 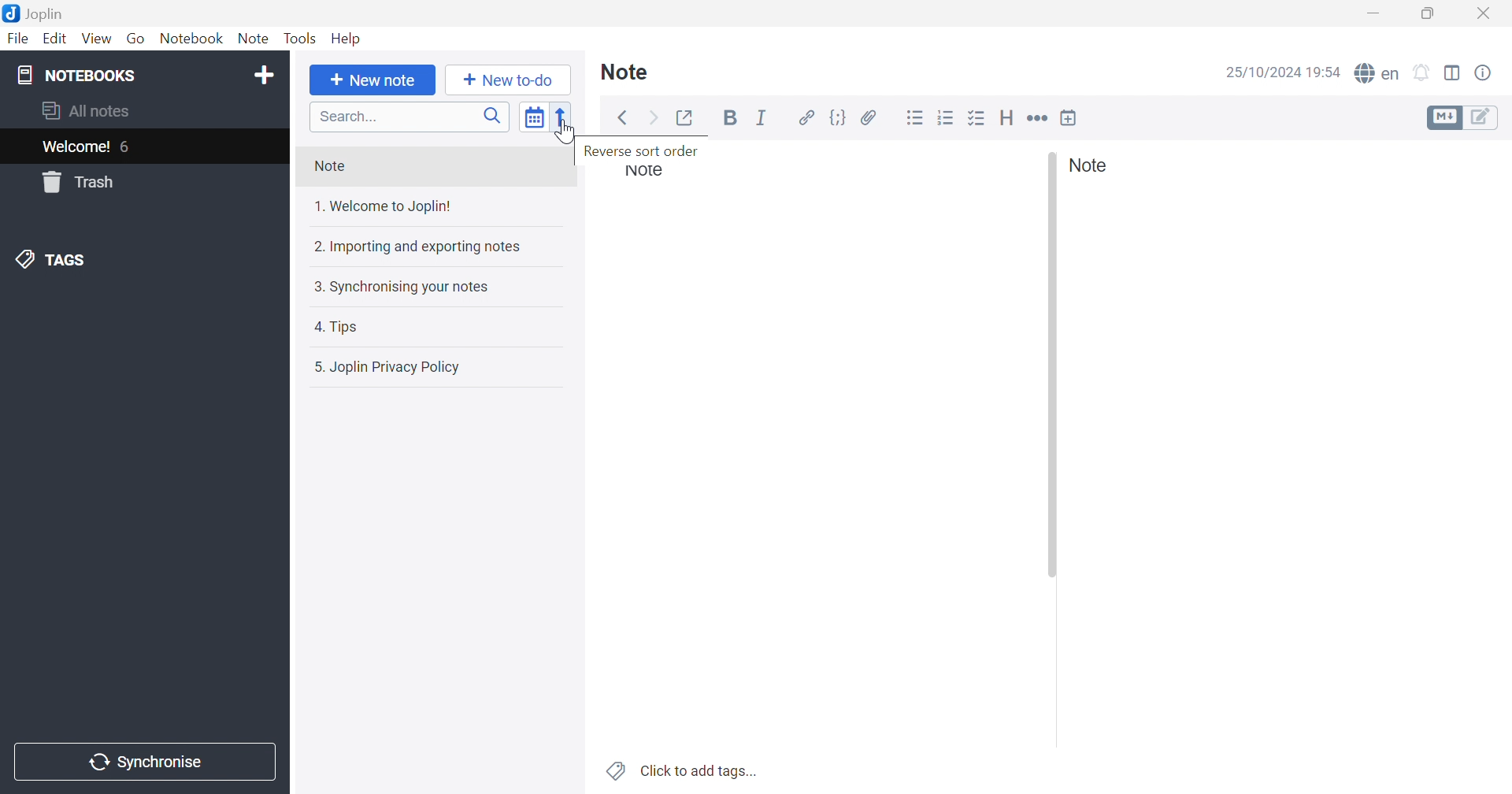 What do you see at coordinates (700, 770) in the screenshot?
I see `Click to add tags...` at bounding box center [700, 770].